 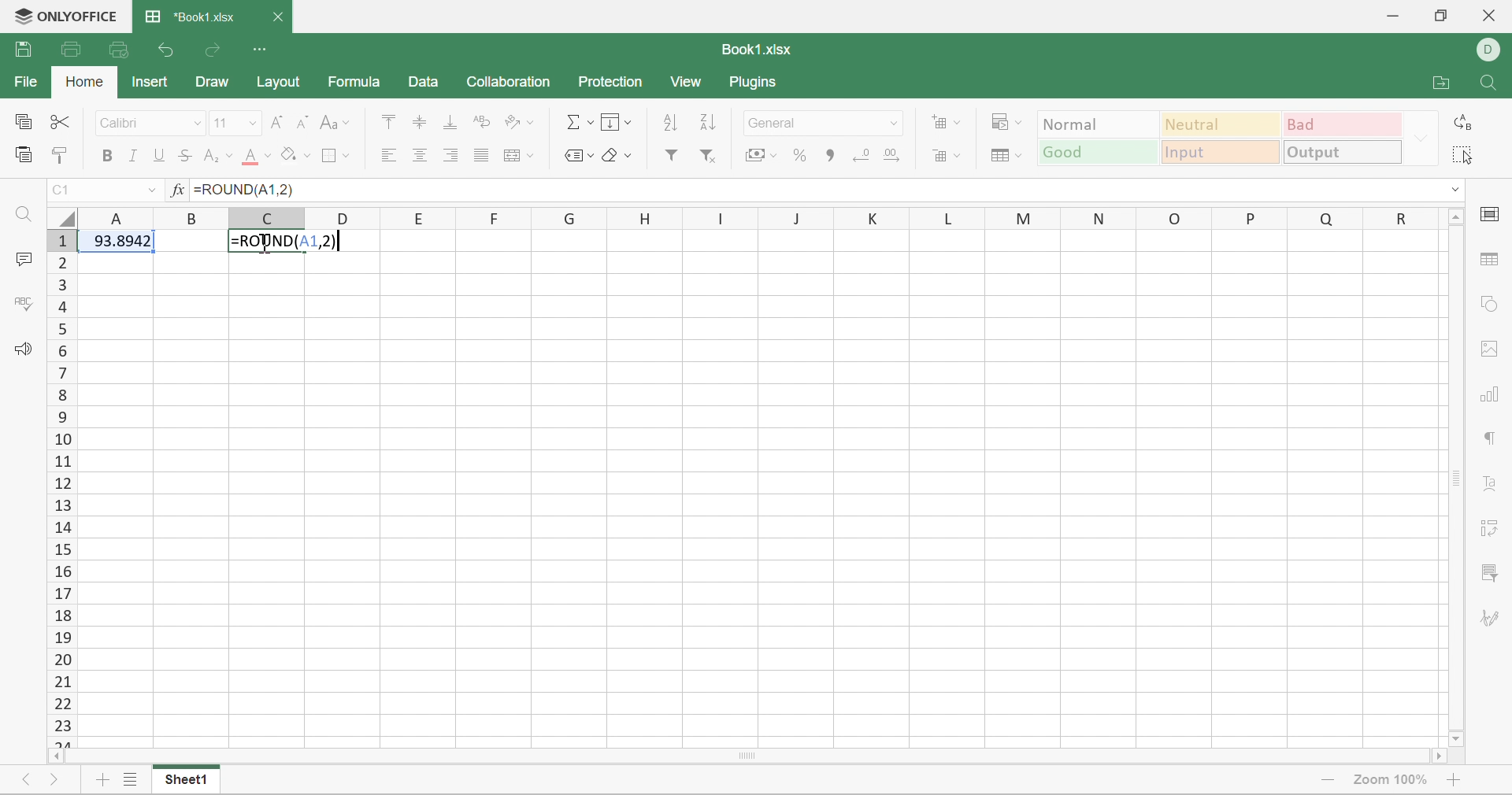 I want to click on Align Right, so click(x=451, y=153).